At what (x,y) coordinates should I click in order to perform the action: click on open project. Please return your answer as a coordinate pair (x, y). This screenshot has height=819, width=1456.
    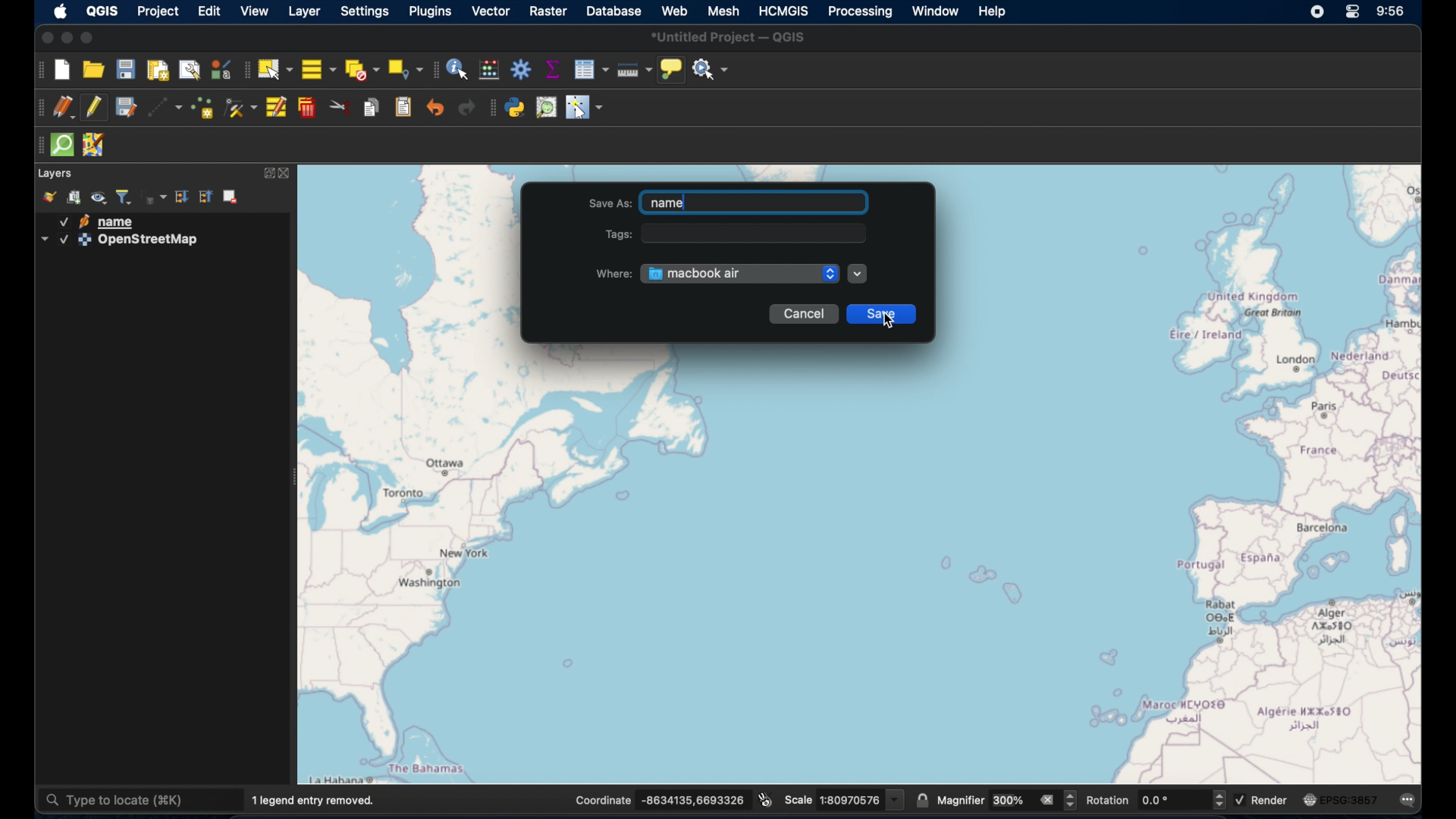
    Looking at the image, I should click on (93, 71).